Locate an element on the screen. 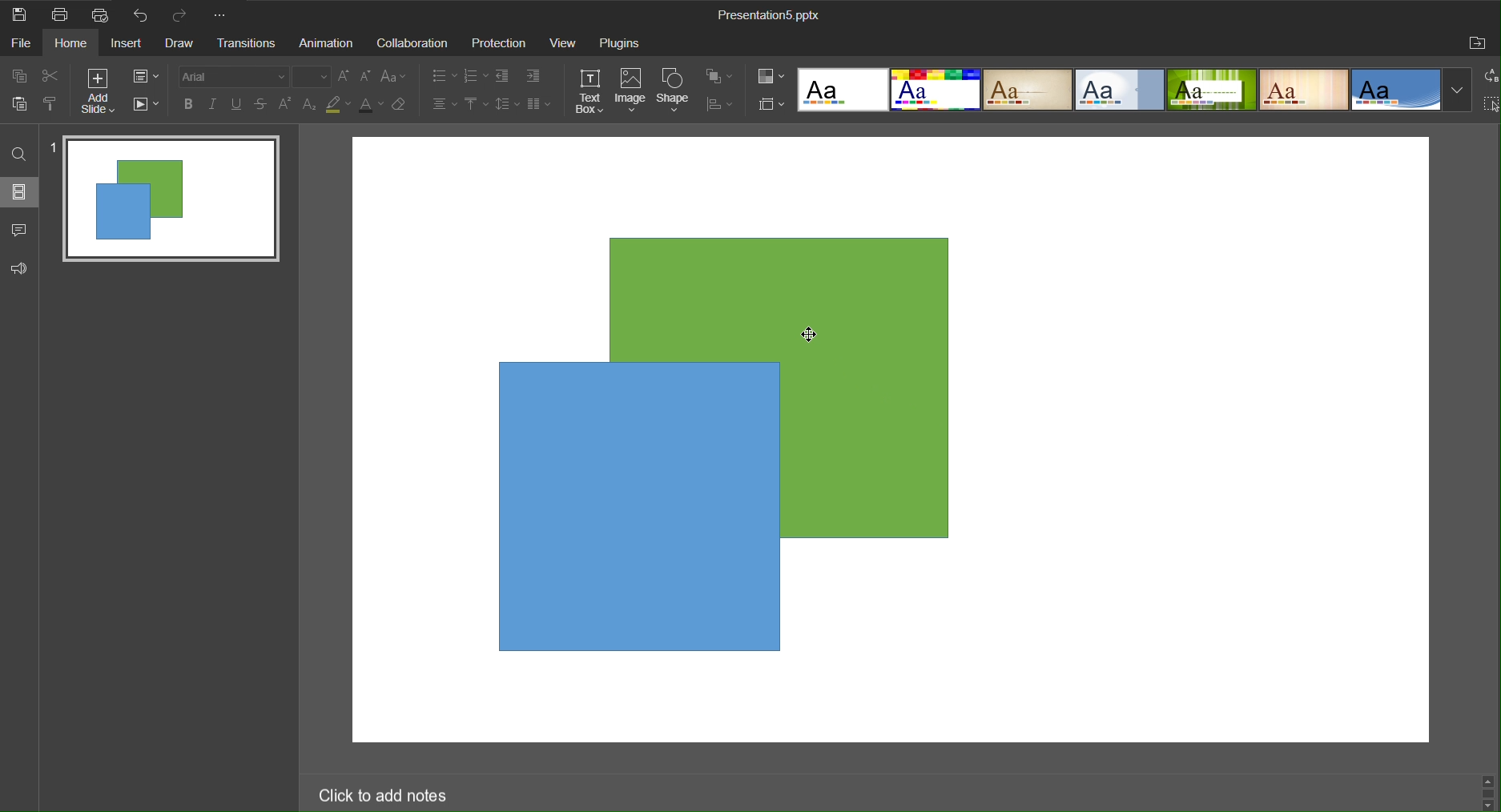  Quick Print is located at coordinates (107, 14).